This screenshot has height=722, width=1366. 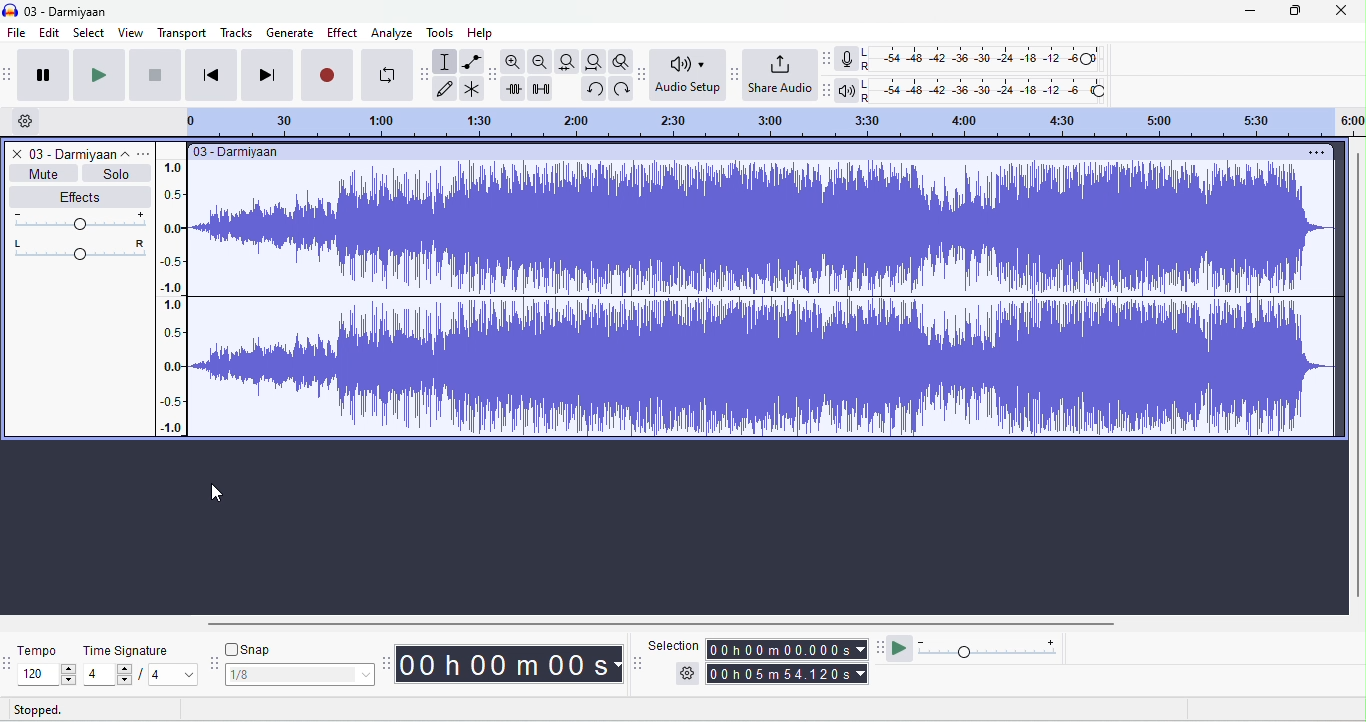 What do you see at coordinates (147, 154) in the screenshot?
I see `options` at bounding box center [147, 154].